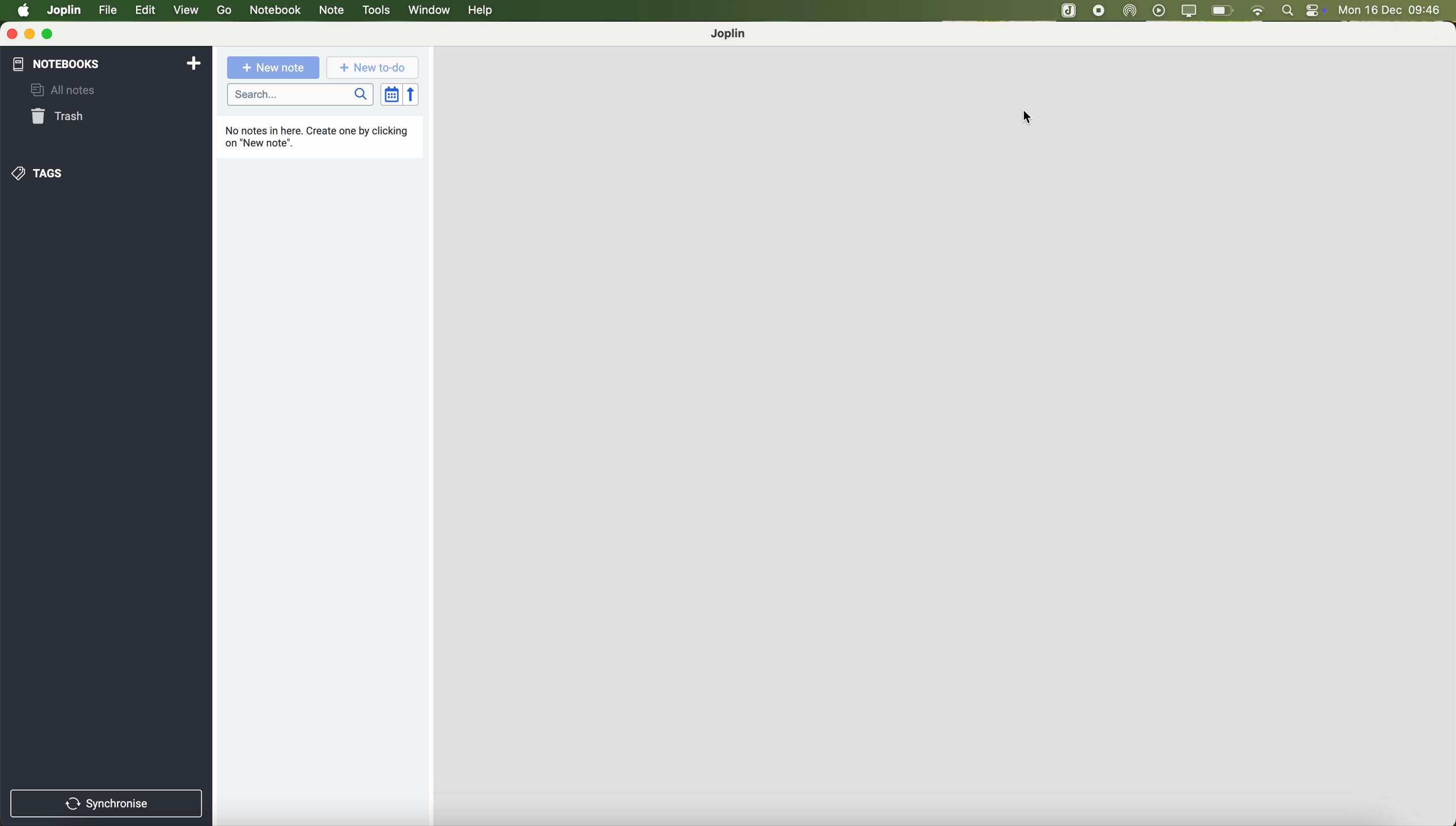 This screenshot has height=826, width=1456. What do you see at coordinates (10, 34) in the screenshot?
I see ` close program` at bounding box center [10, 34].